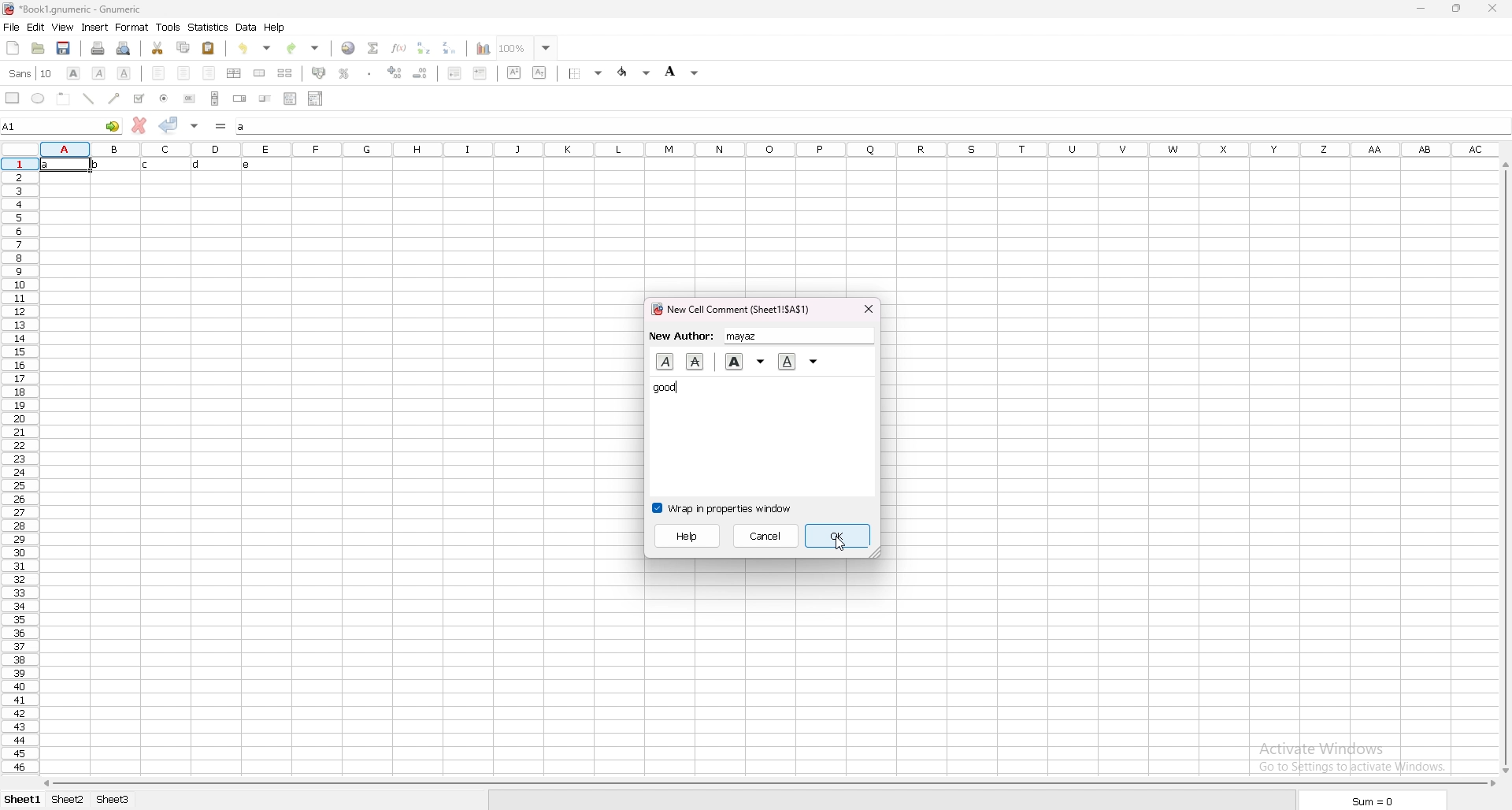  What do you see at coordinates (65, 98) in the screenshot?
I see `frame` at bounding box center [65, 98].